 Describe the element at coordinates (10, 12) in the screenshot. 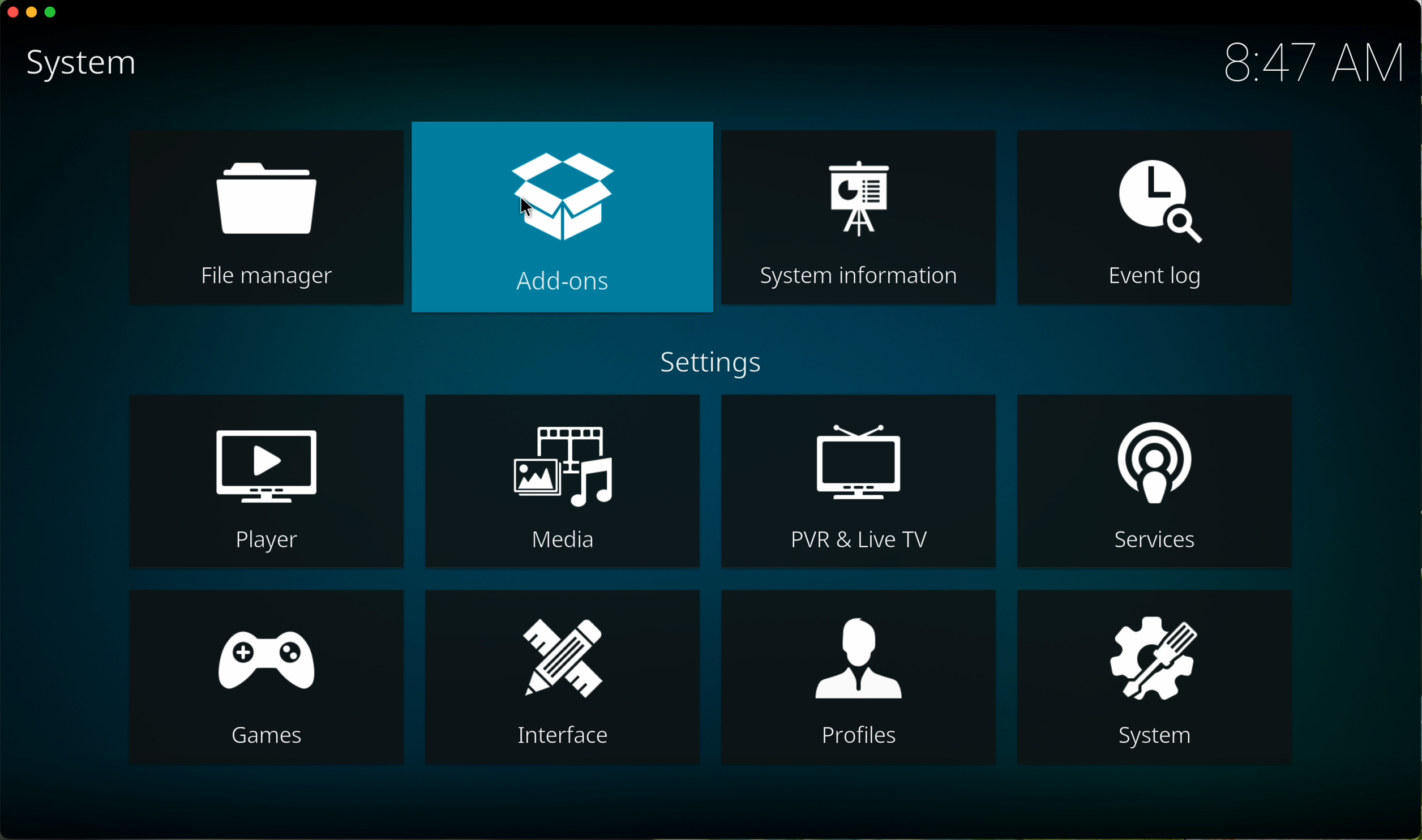

I see `close` at that location.